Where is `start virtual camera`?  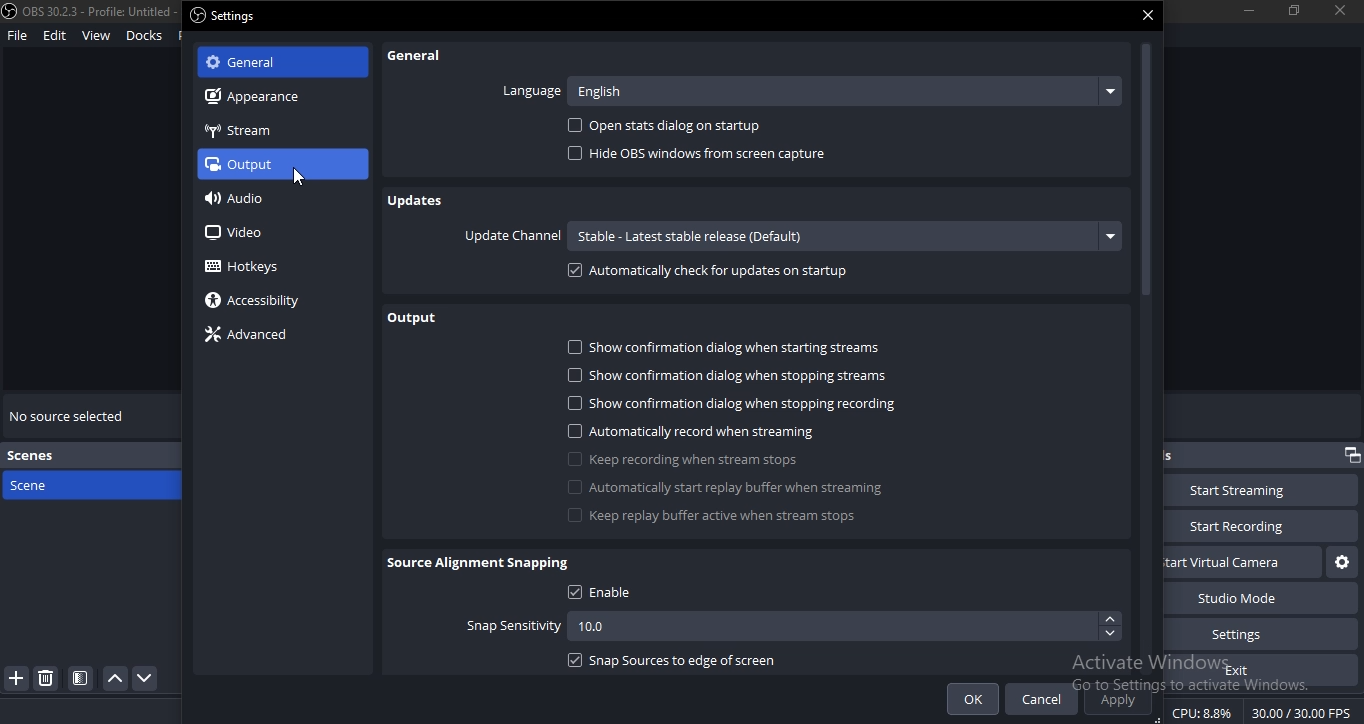
start virtual camera is located at coordinates (1339, 563).